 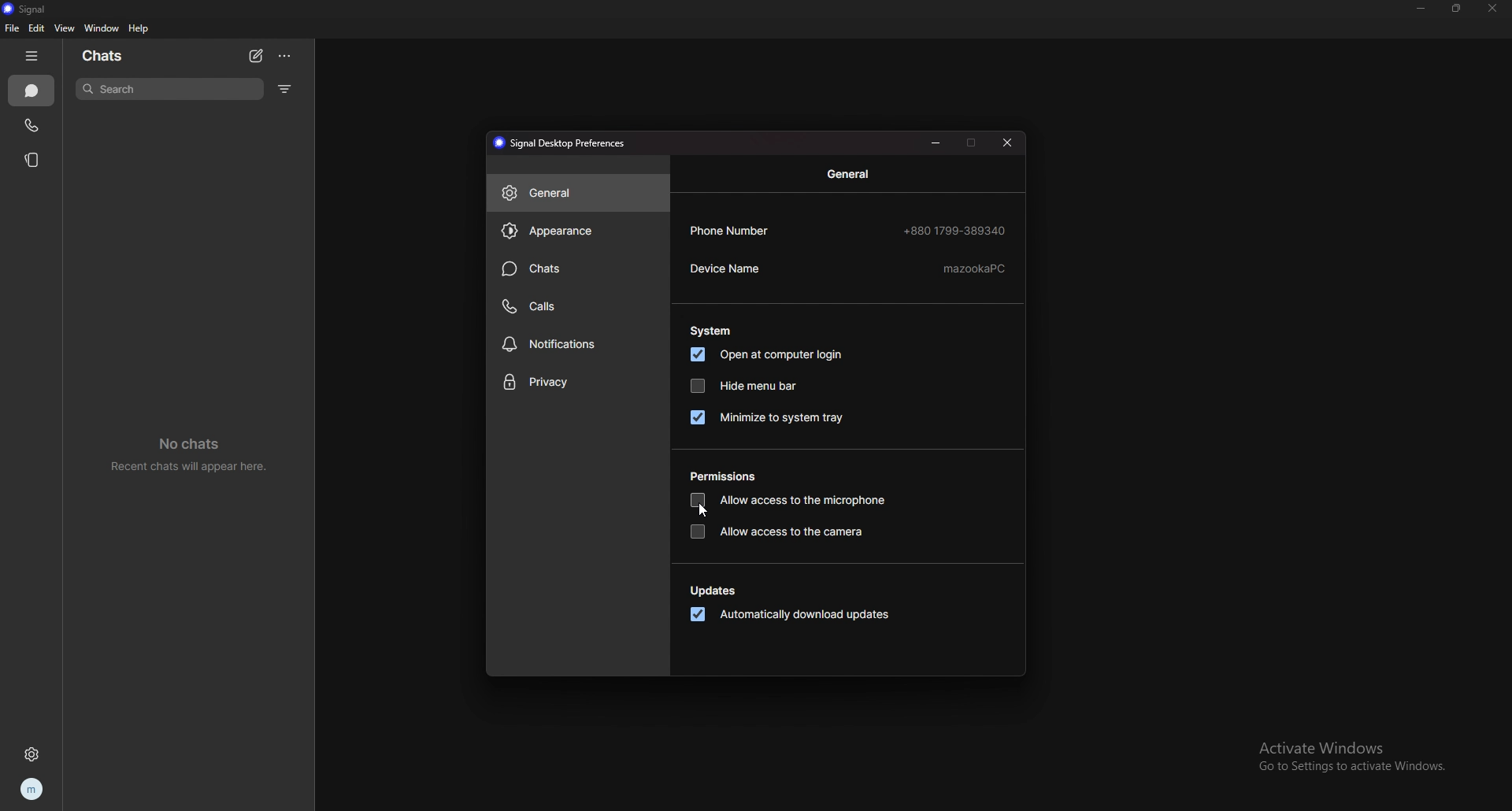 What do you see at coordinates (256, 56) in the screenshot?
I see `new chat` at bounding box center [256, 56].